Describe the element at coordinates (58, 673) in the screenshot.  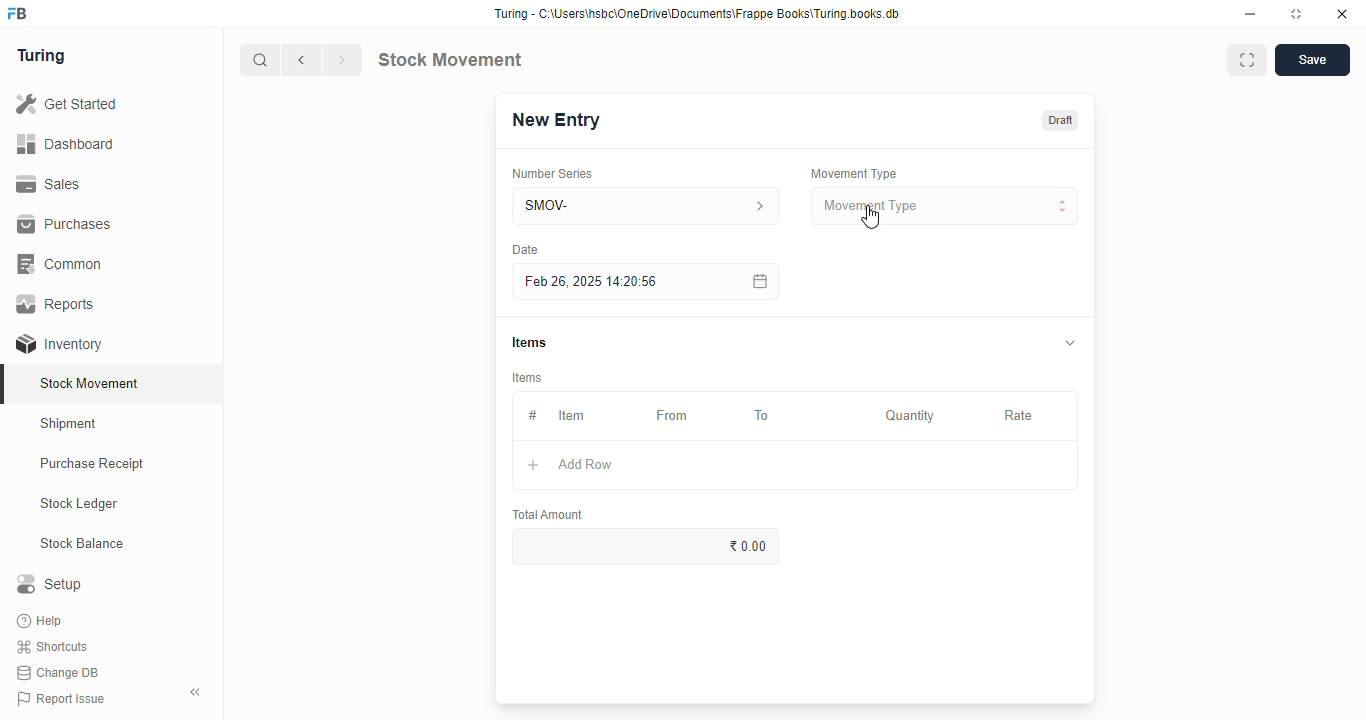
I see `change DB` at that location.